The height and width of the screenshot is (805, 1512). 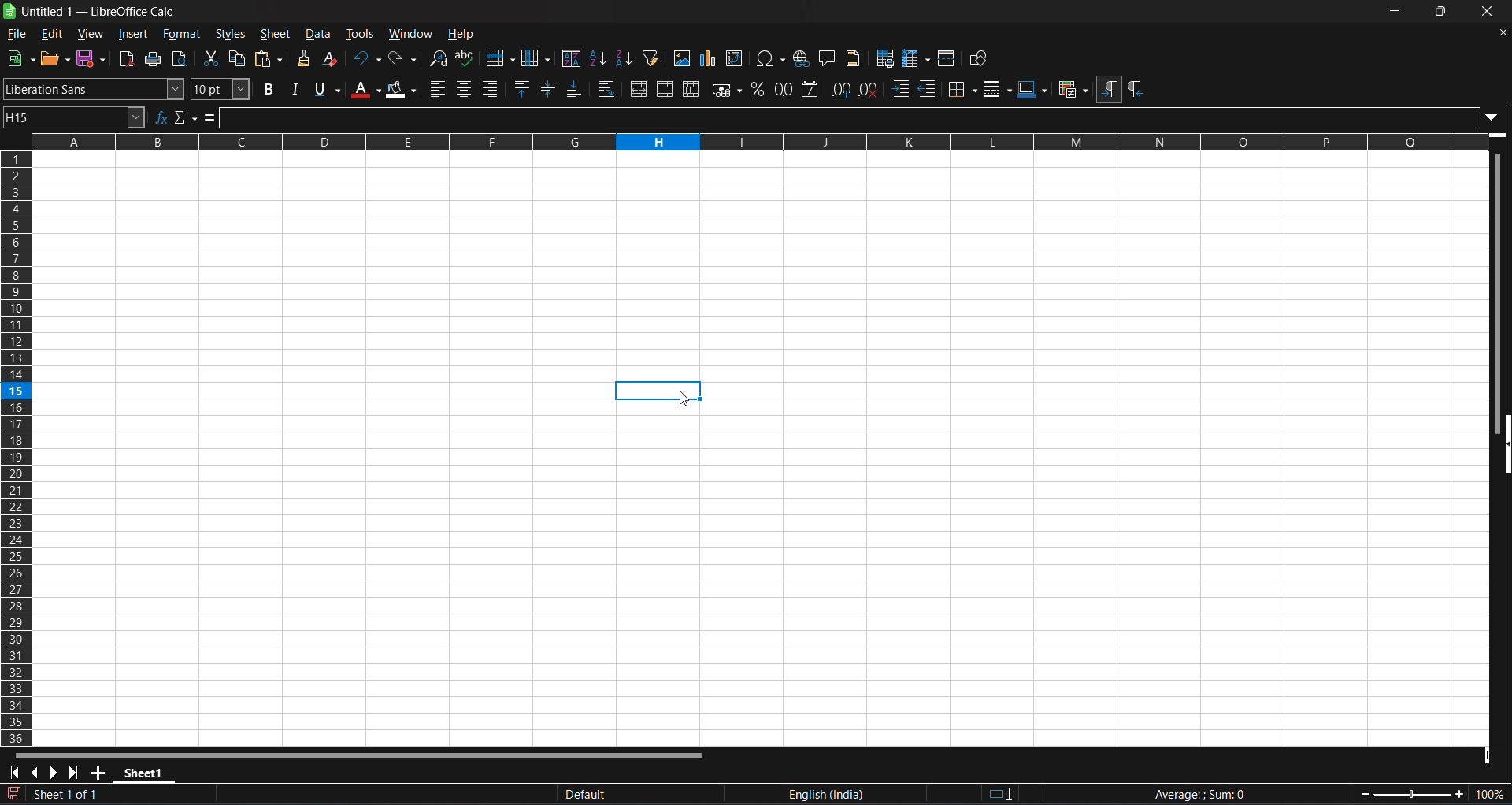 What do you see at coordinates (221, 89) in the screenshot?
I see `font size` at bounding box center [221, 89].